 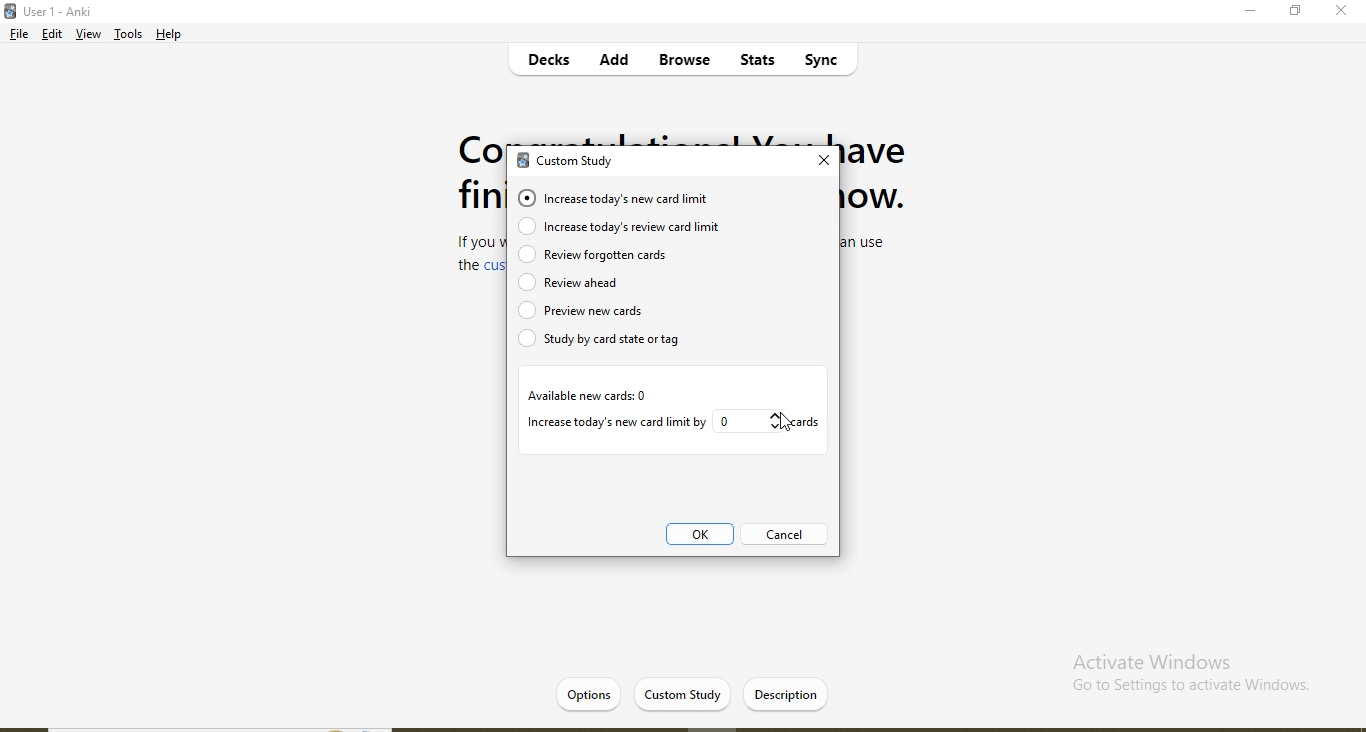 I want to click on review ahead, so click(x=643, y=281).